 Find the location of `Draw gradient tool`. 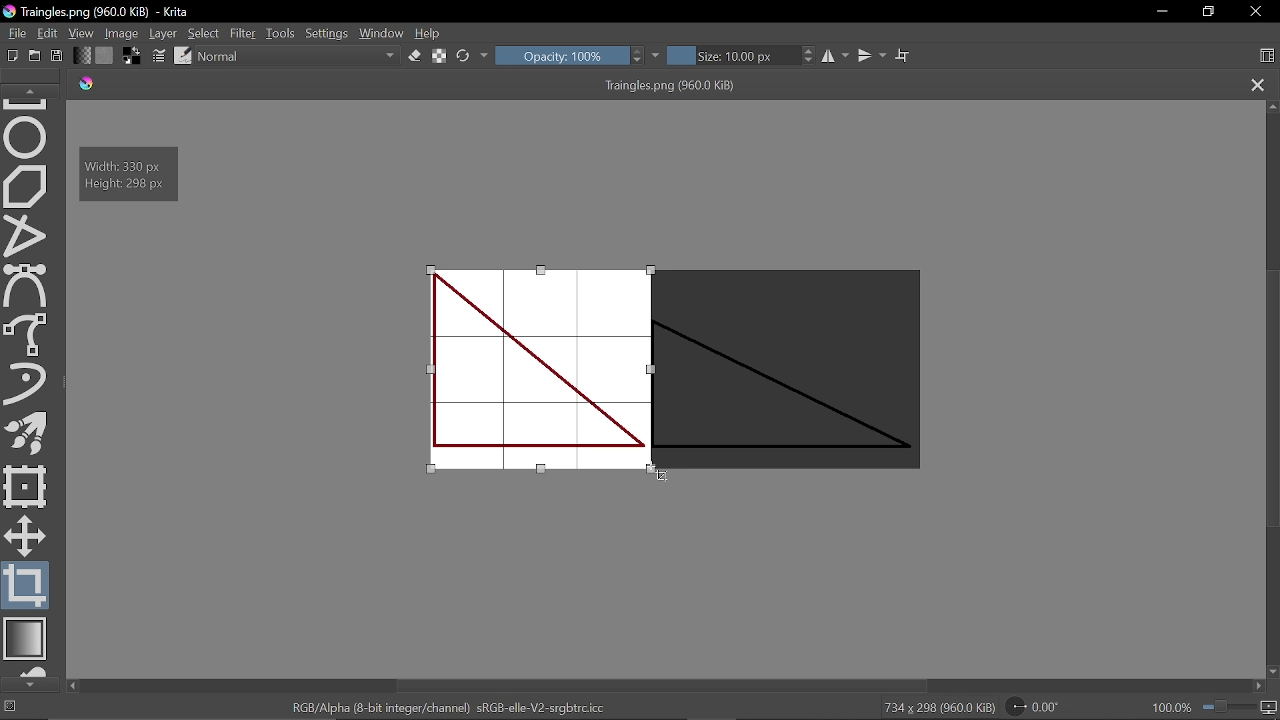

Draw gradient tool is located at coordinates (28, 640).